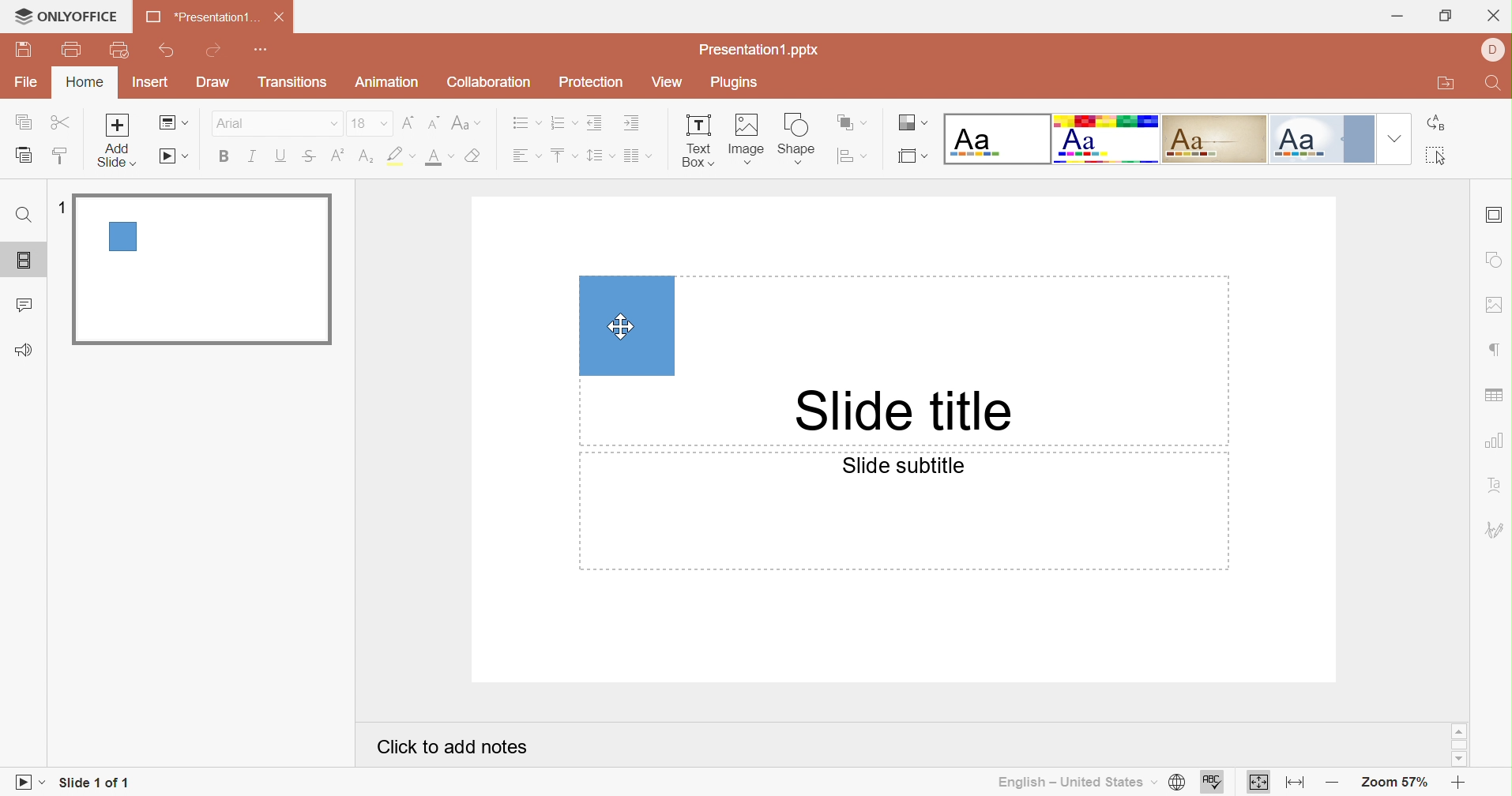 The image size is (1512, 796). Describe the element at coordinates (1074, 783) in the screenshot. I see `English - United States` at that location.